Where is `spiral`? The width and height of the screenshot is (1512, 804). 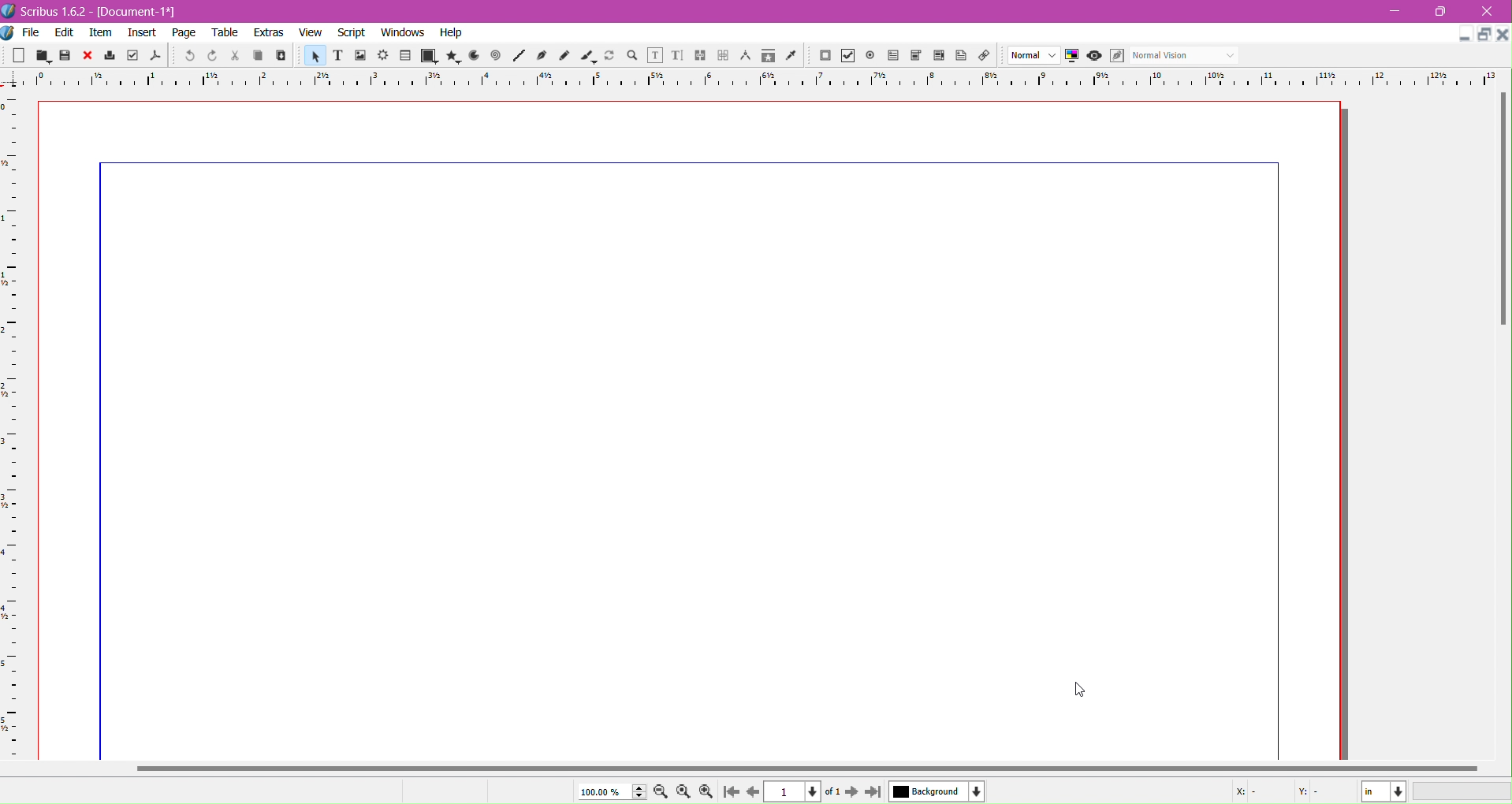
spiral is located at coordinates (496, 56).